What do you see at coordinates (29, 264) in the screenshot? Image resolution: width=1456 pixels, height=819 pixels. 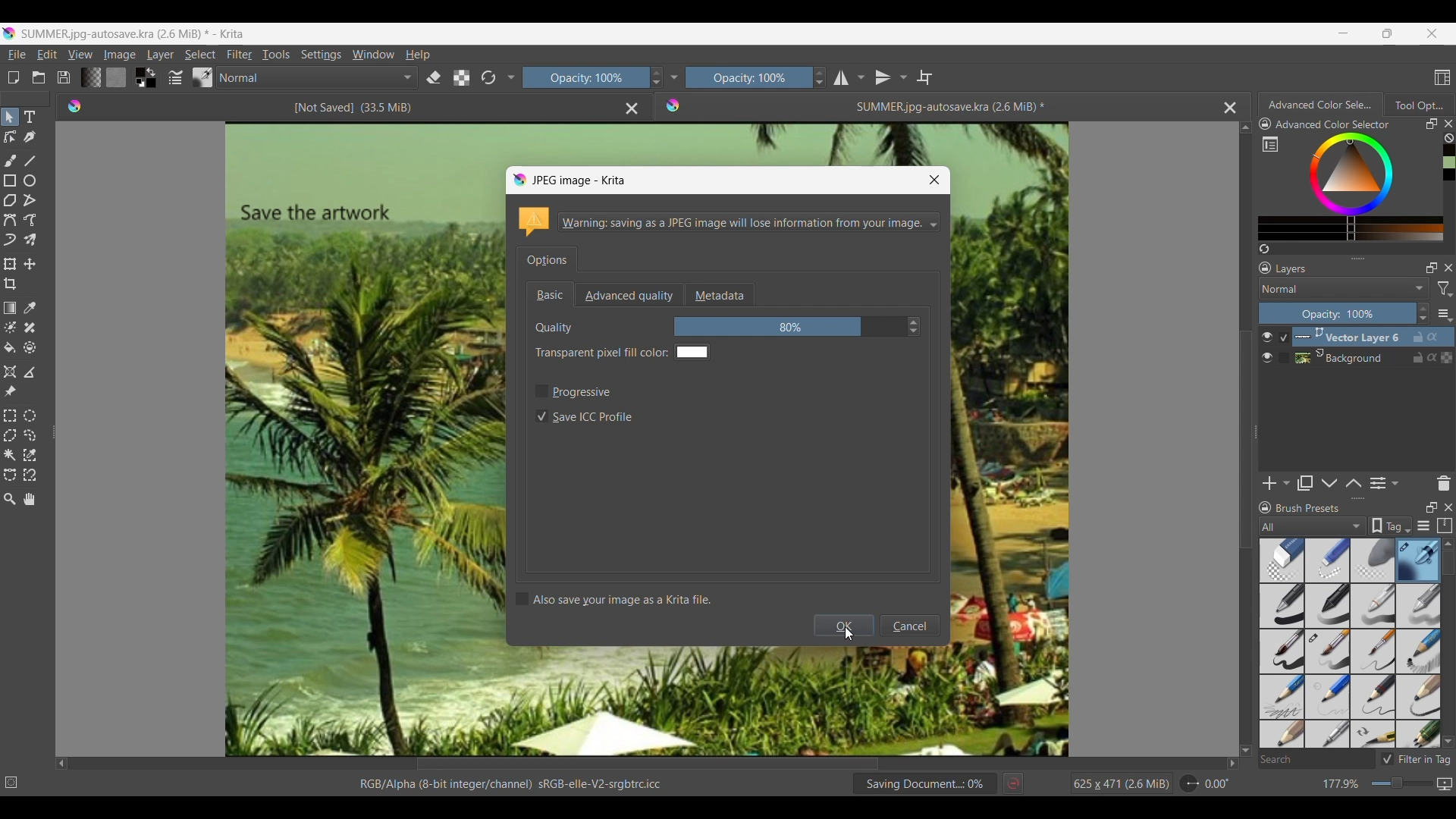 I see `Move a layer` at bounding box center [29, 264].